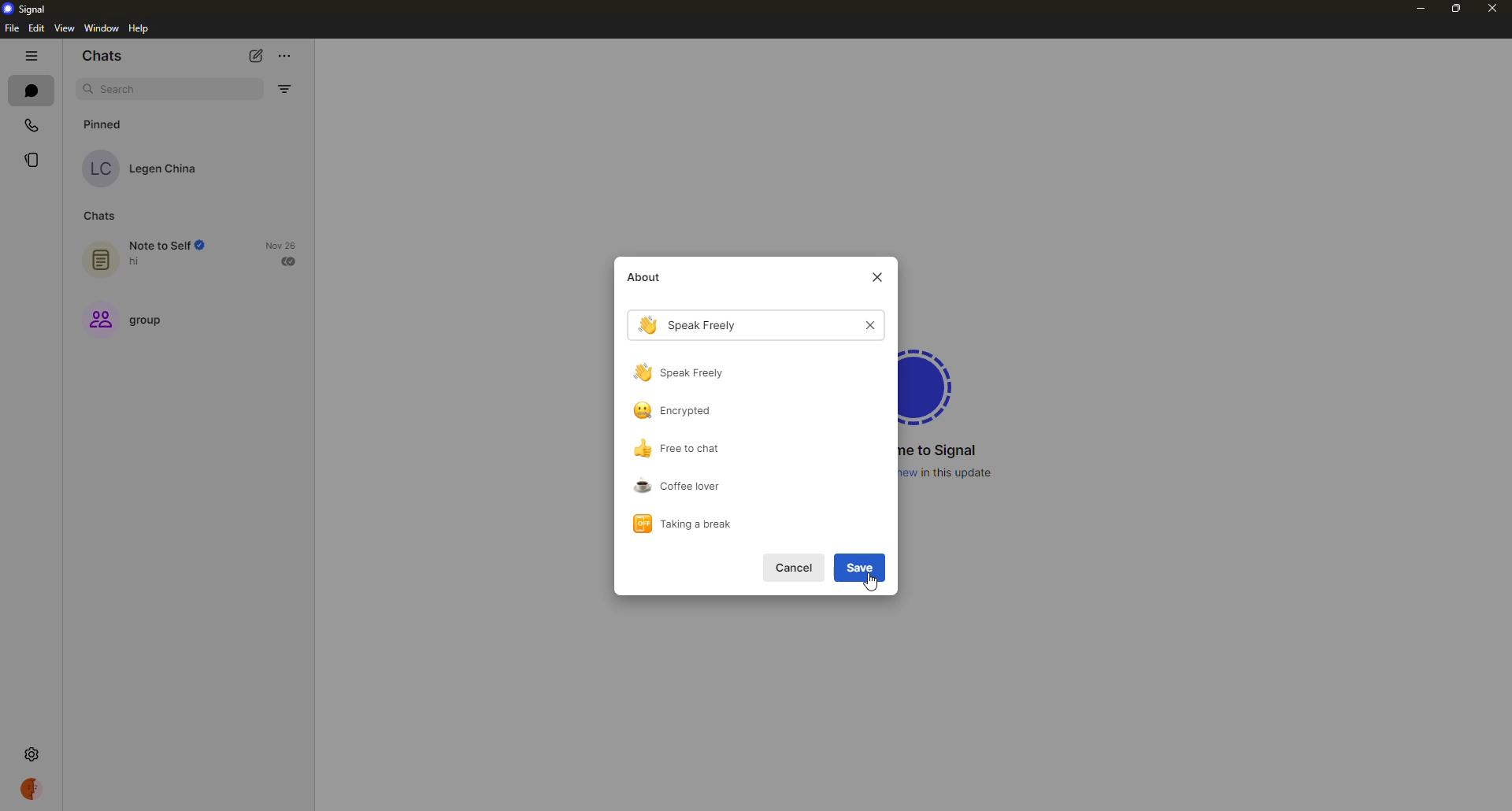 The width and height of the screenshot is (1512, 811). What do you see at coordinates (150, 254) in the screenshot?
I see `note to self` at bounding box center [150, 254].